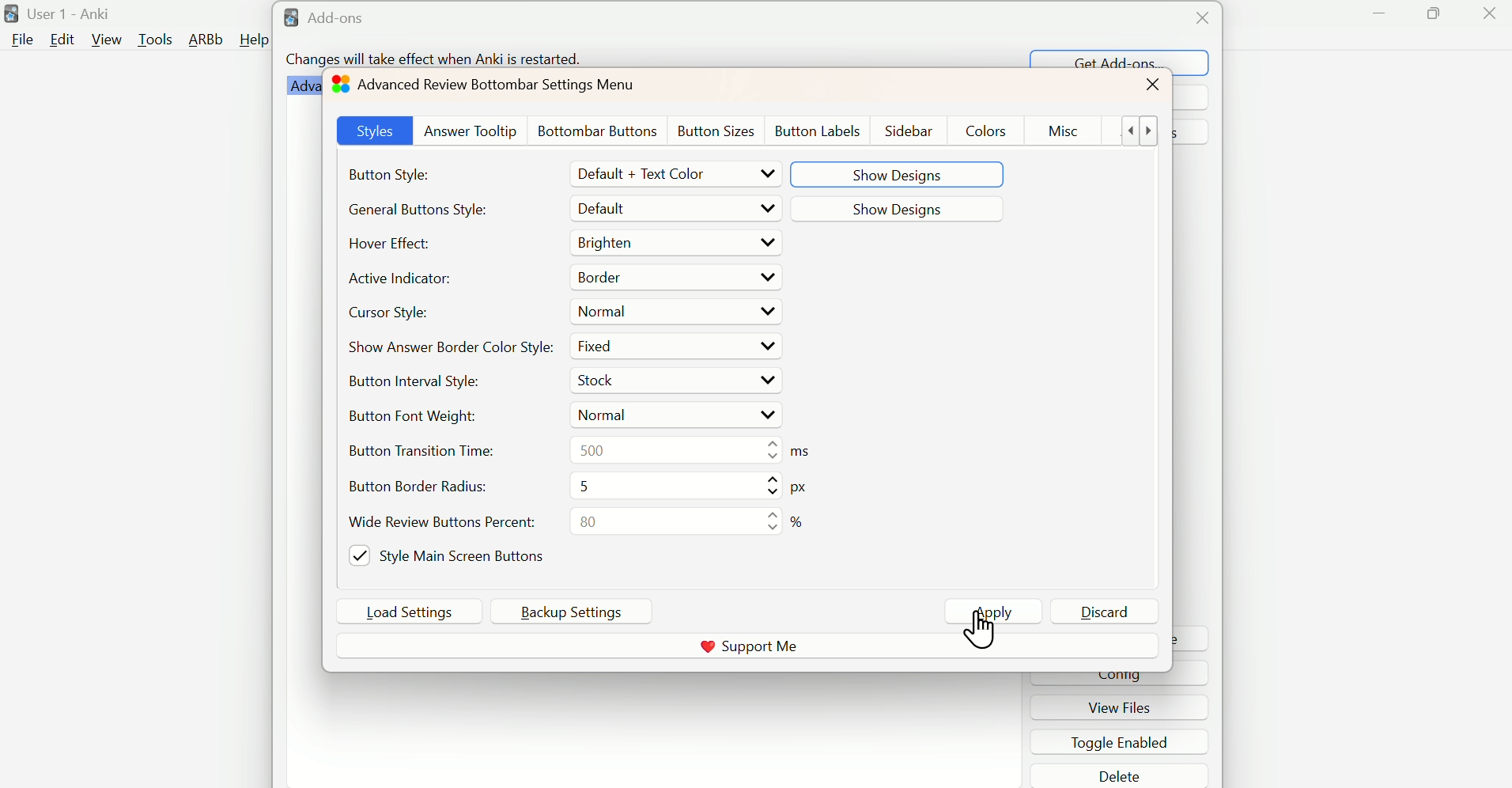 This screenshot has height=788, width=1512. I want to click on Fixed, so click(596, 346).